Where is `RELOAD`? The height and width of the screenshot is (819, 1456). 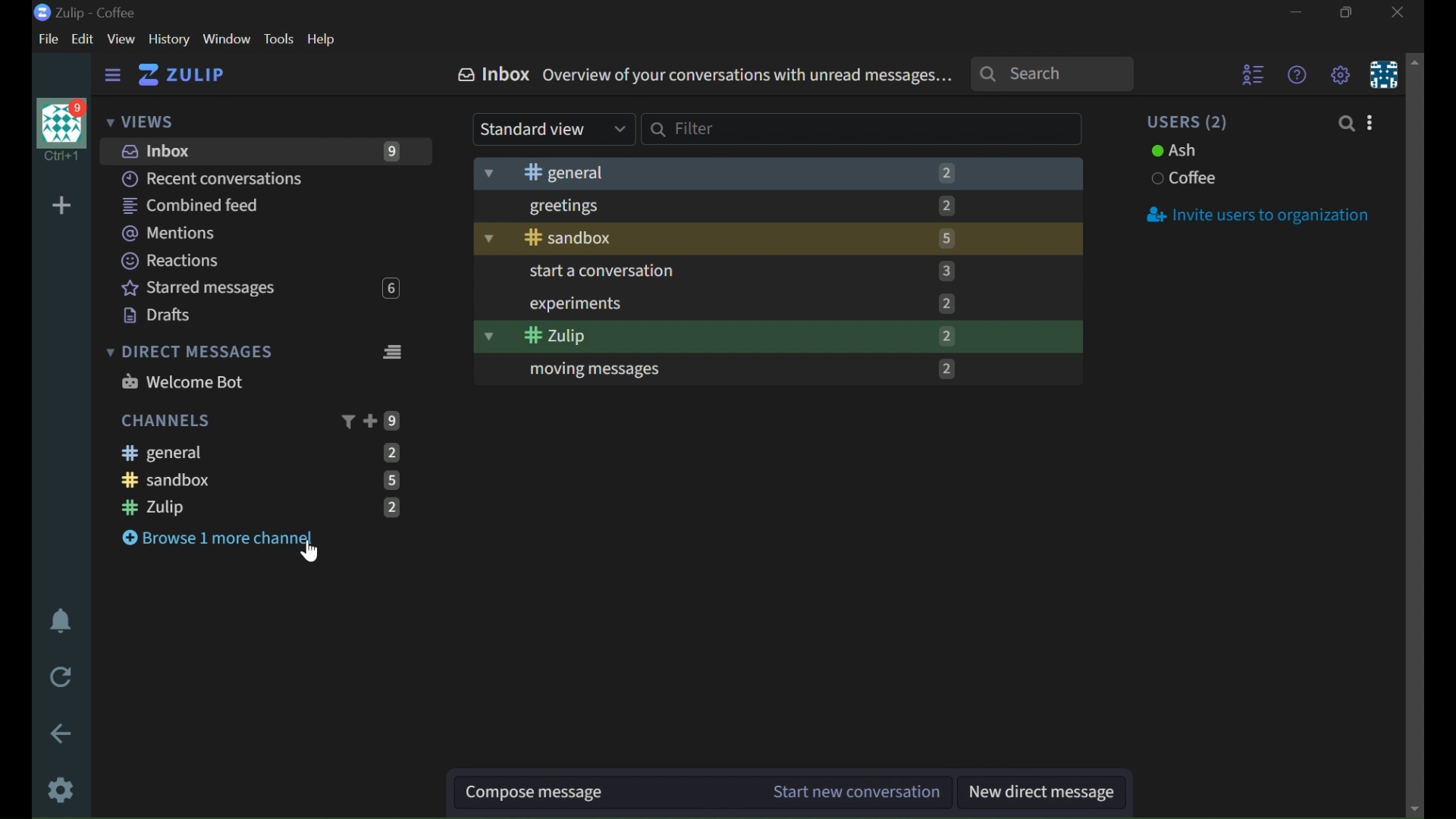 RELOAD is located at coordinates (63, 675).